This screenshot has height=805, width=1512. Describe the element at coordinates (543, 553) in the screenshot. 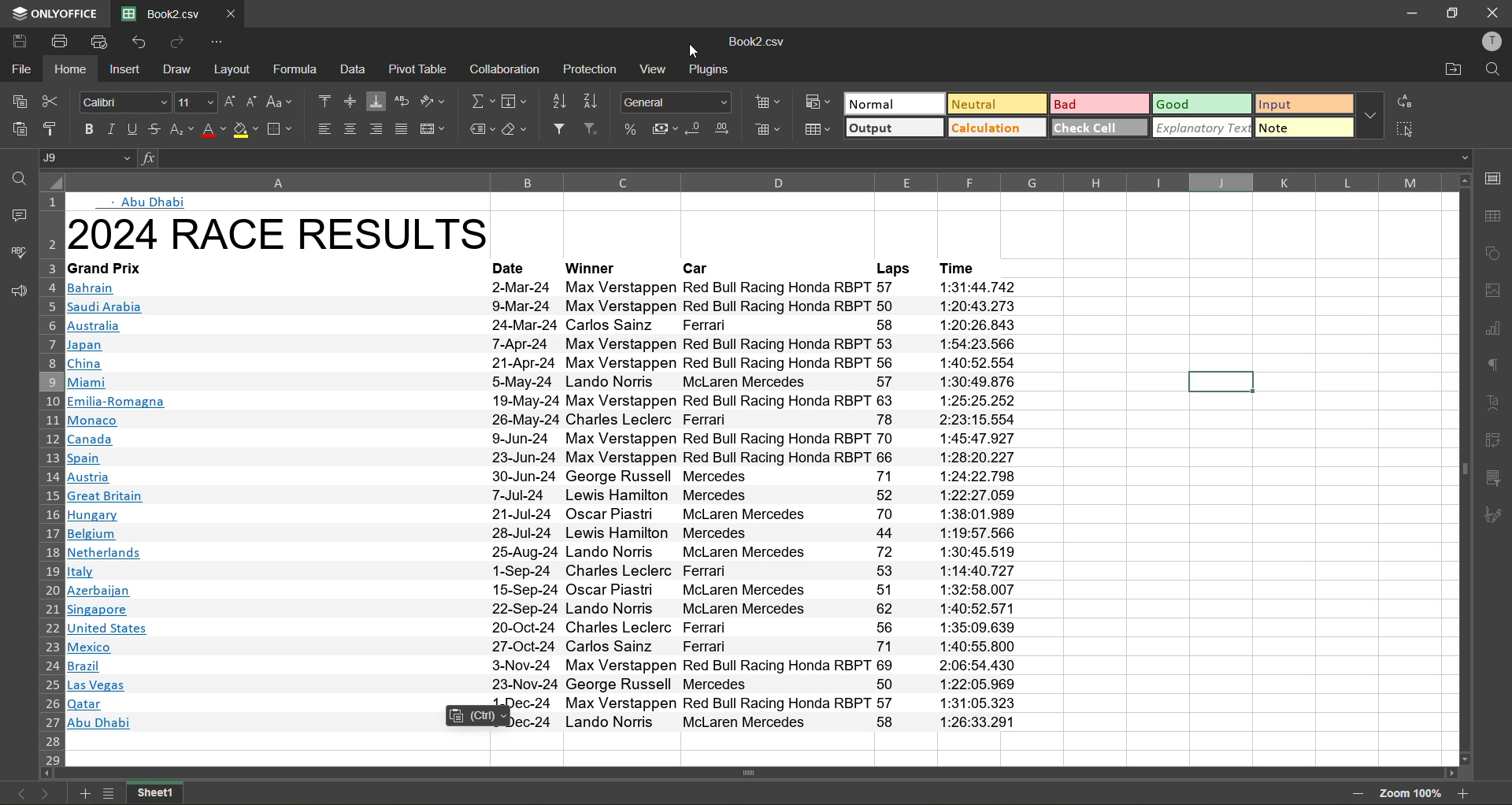

I see `text info` at that location.